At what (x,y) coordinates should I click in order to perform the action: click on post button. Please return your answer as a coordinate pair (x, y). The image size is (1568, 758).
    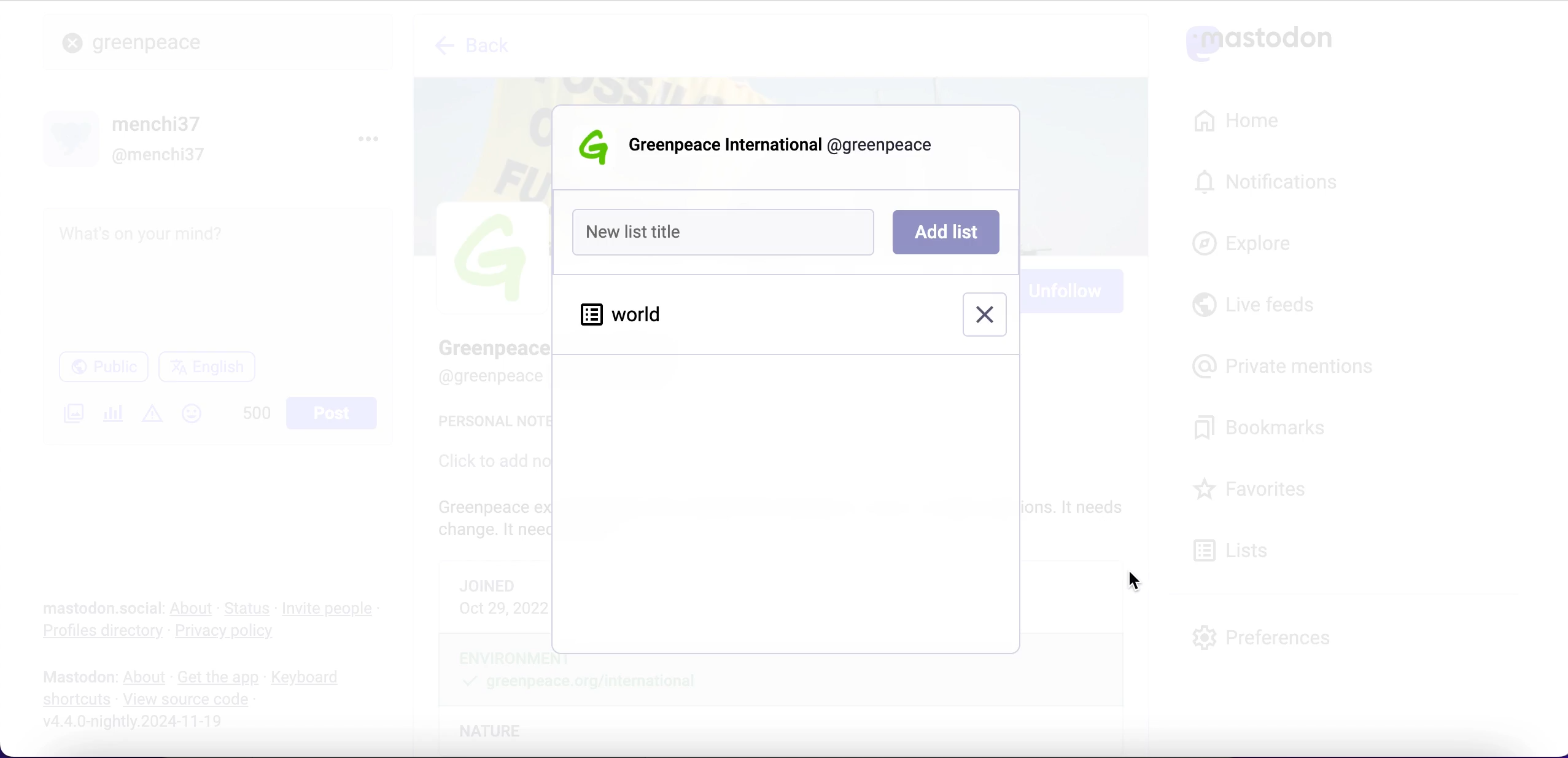
    Looking at the image, I should click on (335, 413).